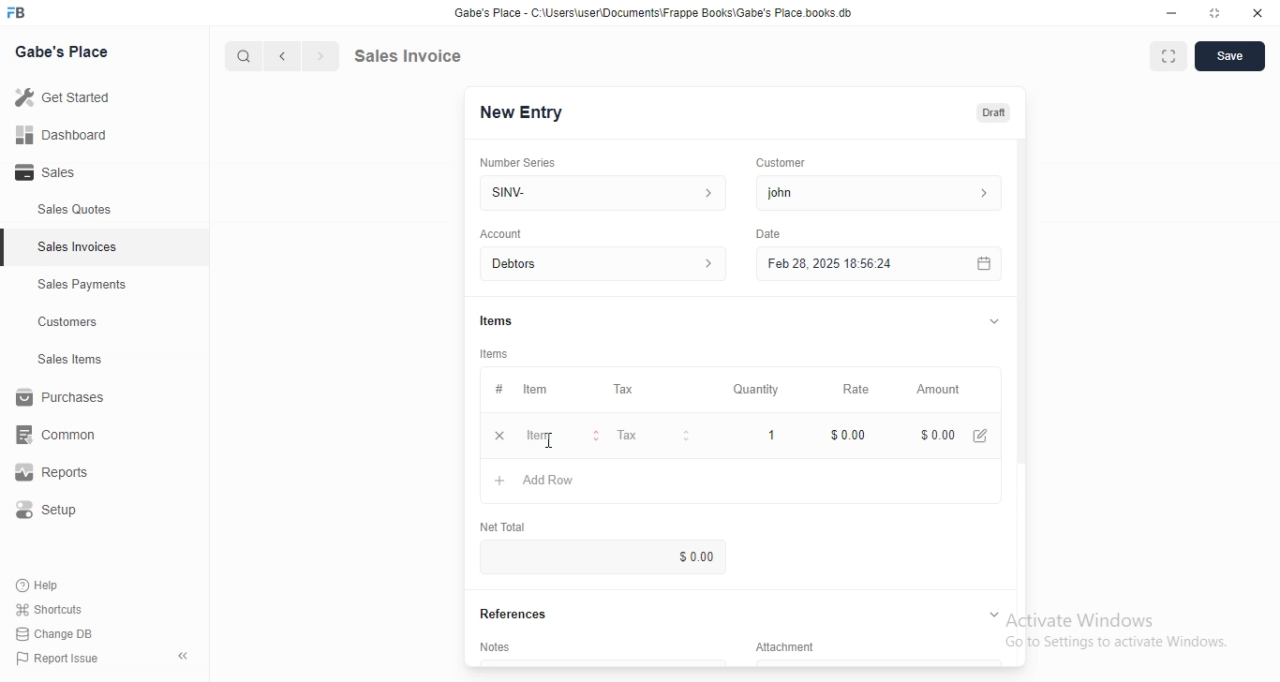 The width and height of the screenshot is (1280, 682). Describe the element at coordinates (58, 635) in the screenshot. I see `Change DB` at that location.